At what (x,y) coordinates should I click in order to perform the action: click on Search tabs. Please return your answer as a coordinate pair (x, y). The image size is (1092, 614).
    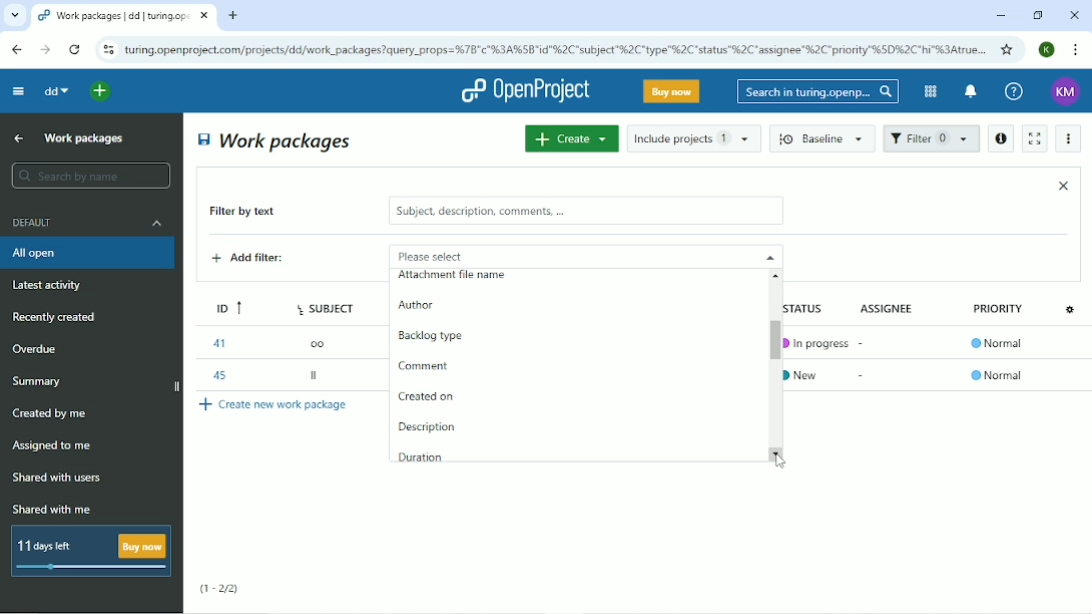
    Looking at the image, I should click on (15, 16).